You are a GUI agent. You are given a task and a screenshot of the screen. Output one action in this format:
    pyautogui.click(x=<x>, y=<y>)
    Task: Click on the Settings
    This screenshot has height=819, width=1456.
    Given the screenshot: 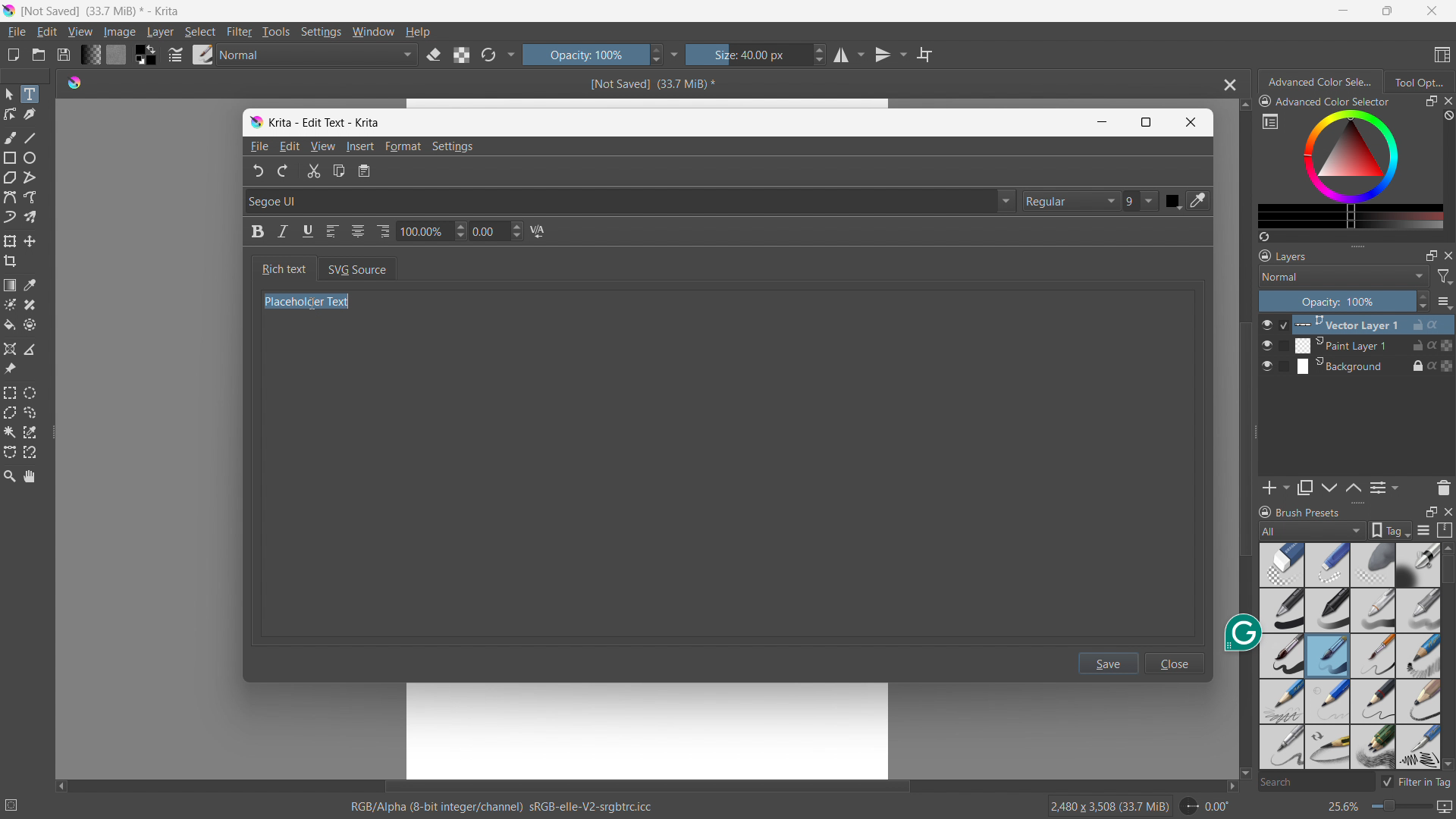 What is the action you would take?
    pyautogui.click(x=456, y=146)
    